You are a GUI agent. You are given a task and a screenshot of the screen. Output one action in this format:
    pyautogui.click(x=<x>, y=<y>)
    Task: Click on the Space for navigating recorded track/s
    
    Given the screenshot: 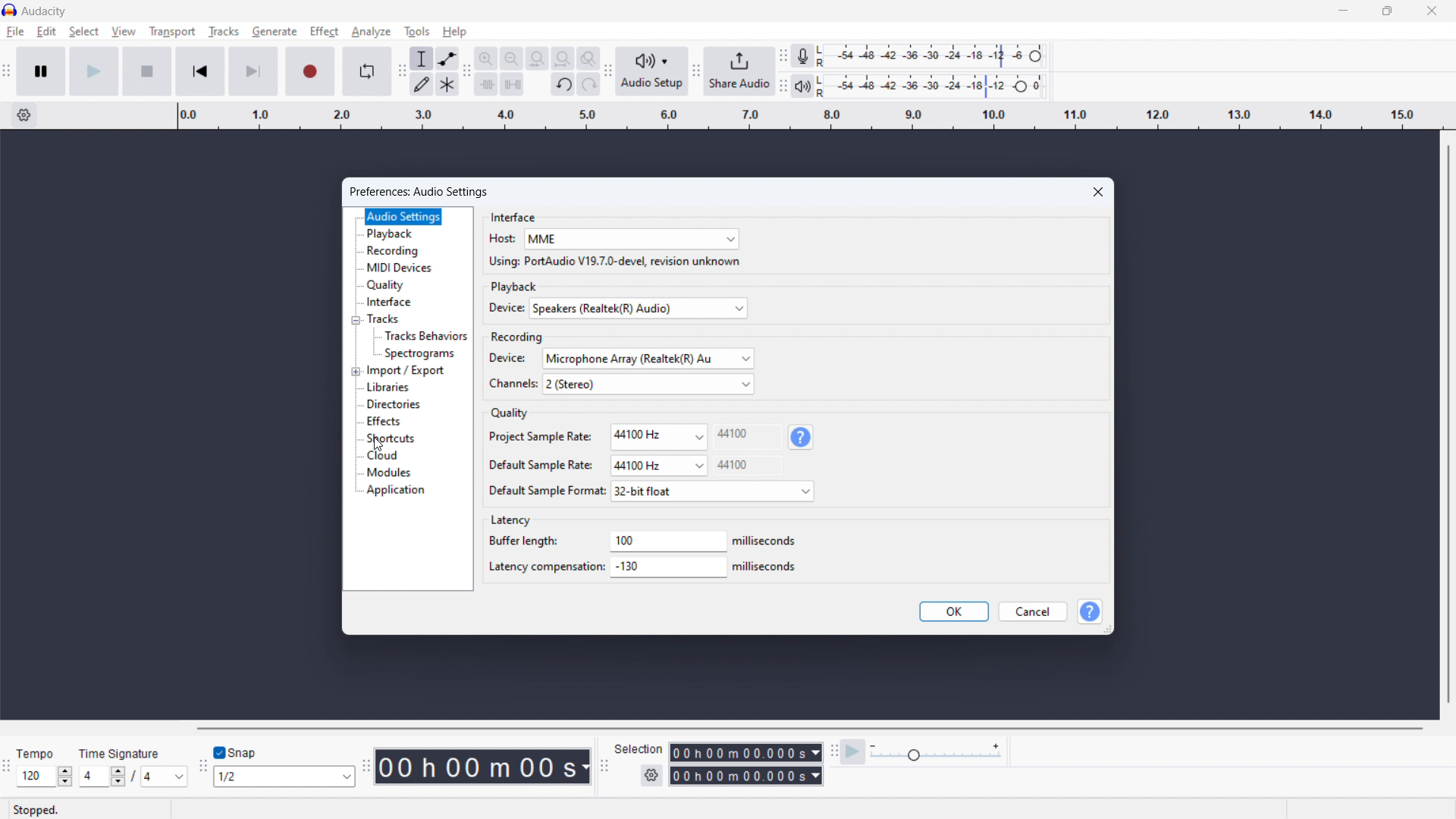 What is the action you would take?
    pyautogui.click(x=1277, y=426)
    